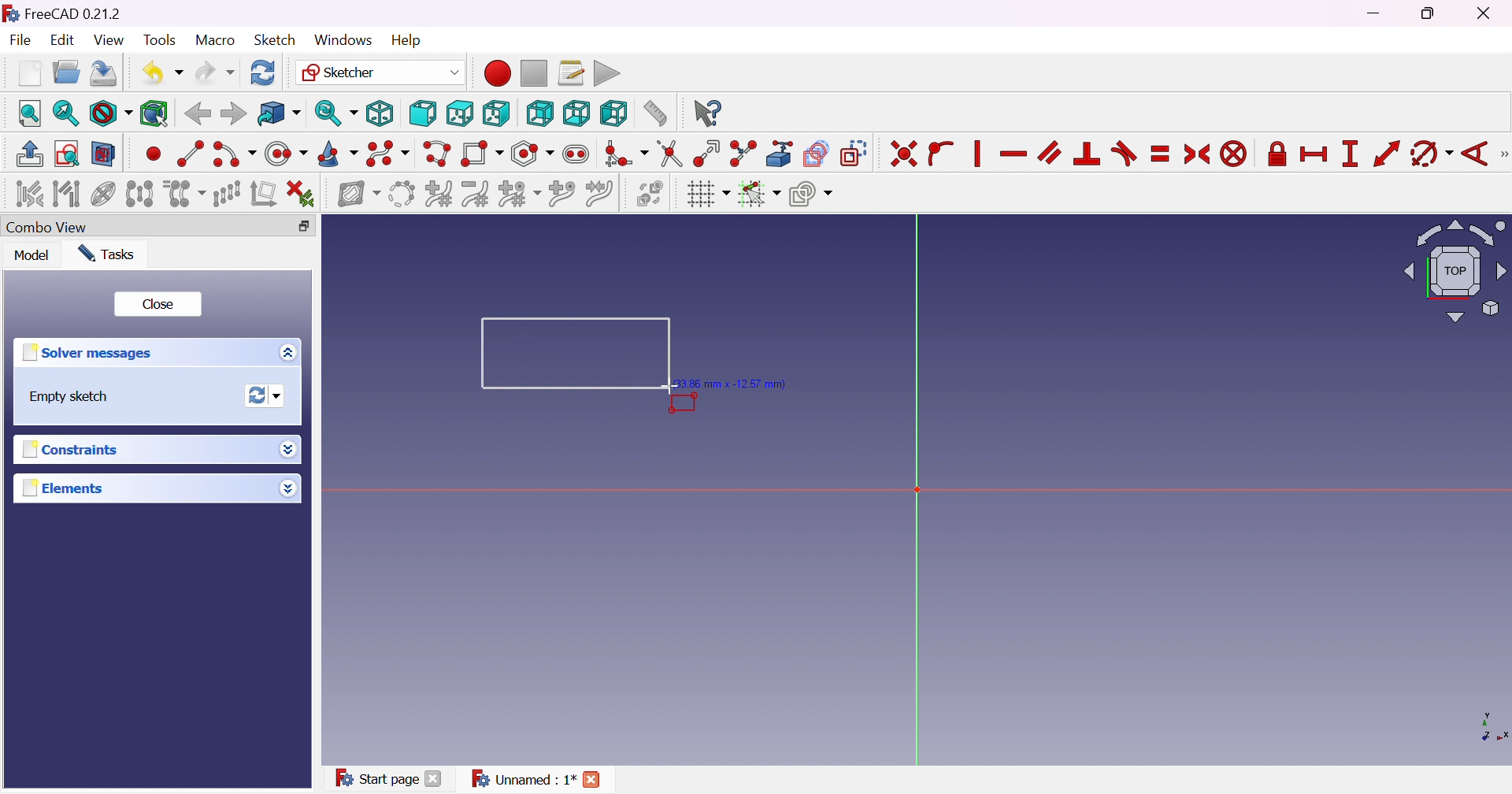 The width and height of the screenshot is (1512, 794). Describe the element at coordinates (438, 154) in the screenshot. I see `Create polyline` at that location.